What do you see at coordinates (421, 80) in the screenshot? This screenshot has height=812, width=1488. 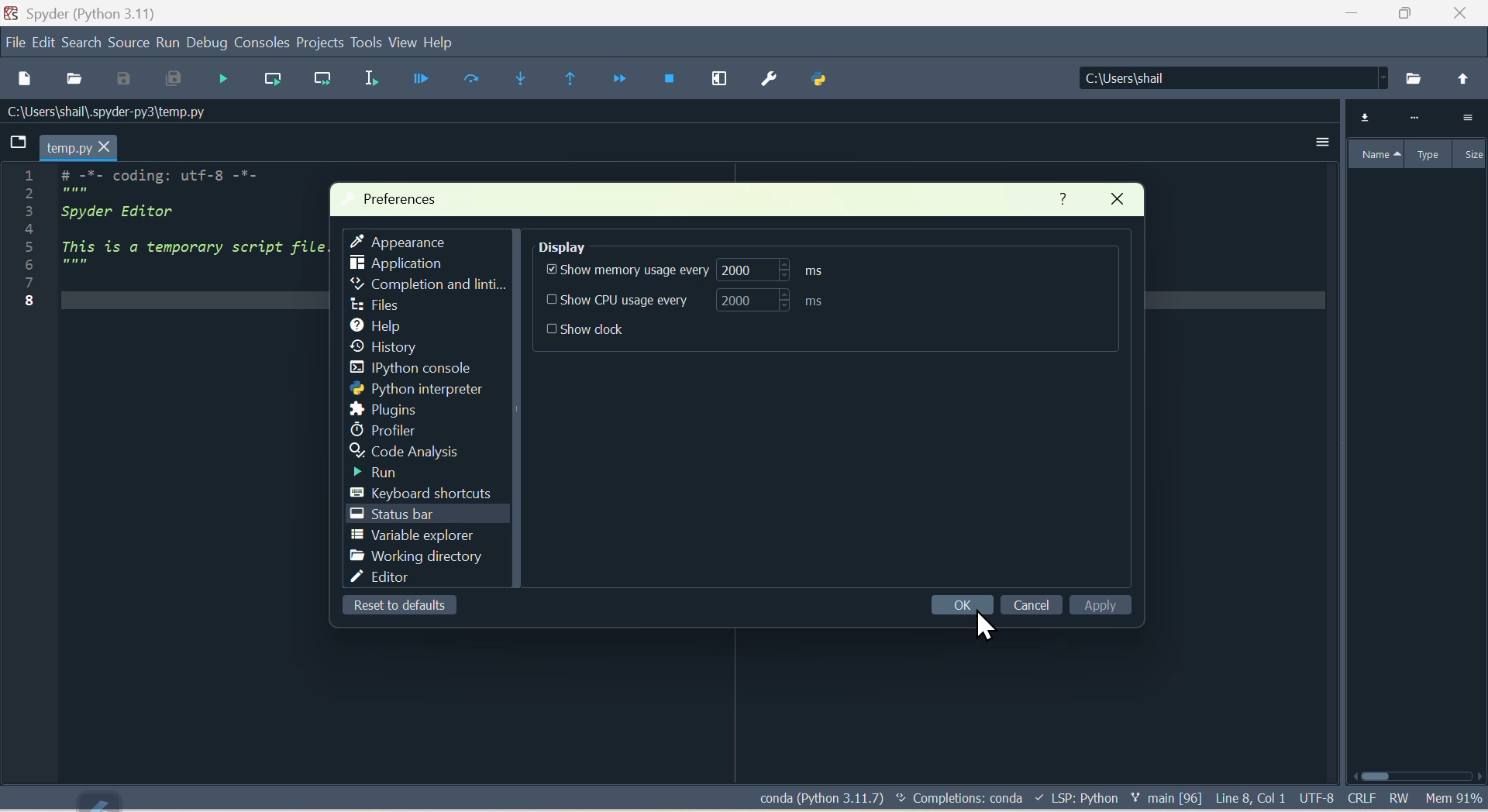 I see `` at bounding box center [421, 80].